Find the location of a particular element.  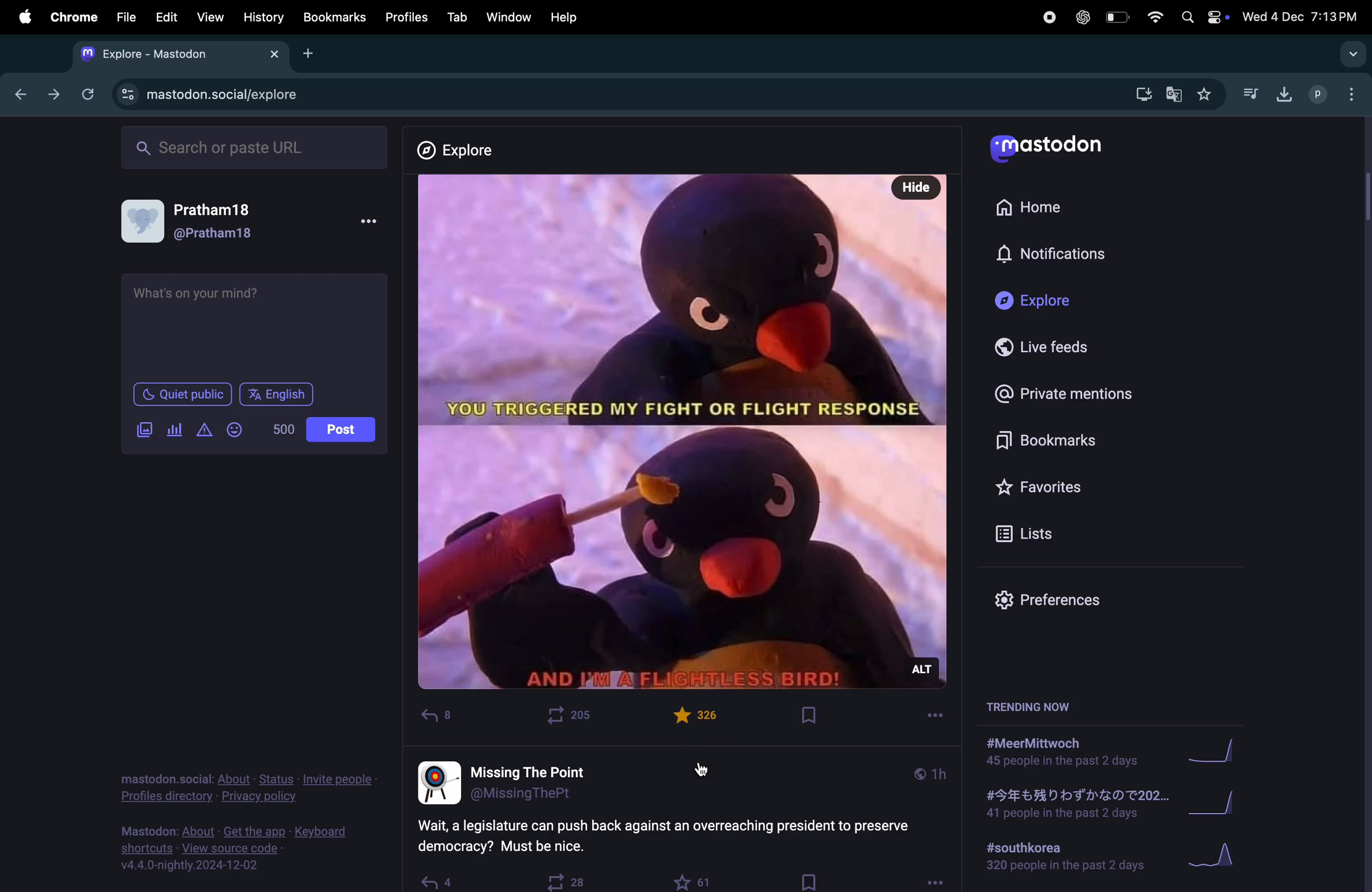

chatgpt is located at coordinates (1080, 17).